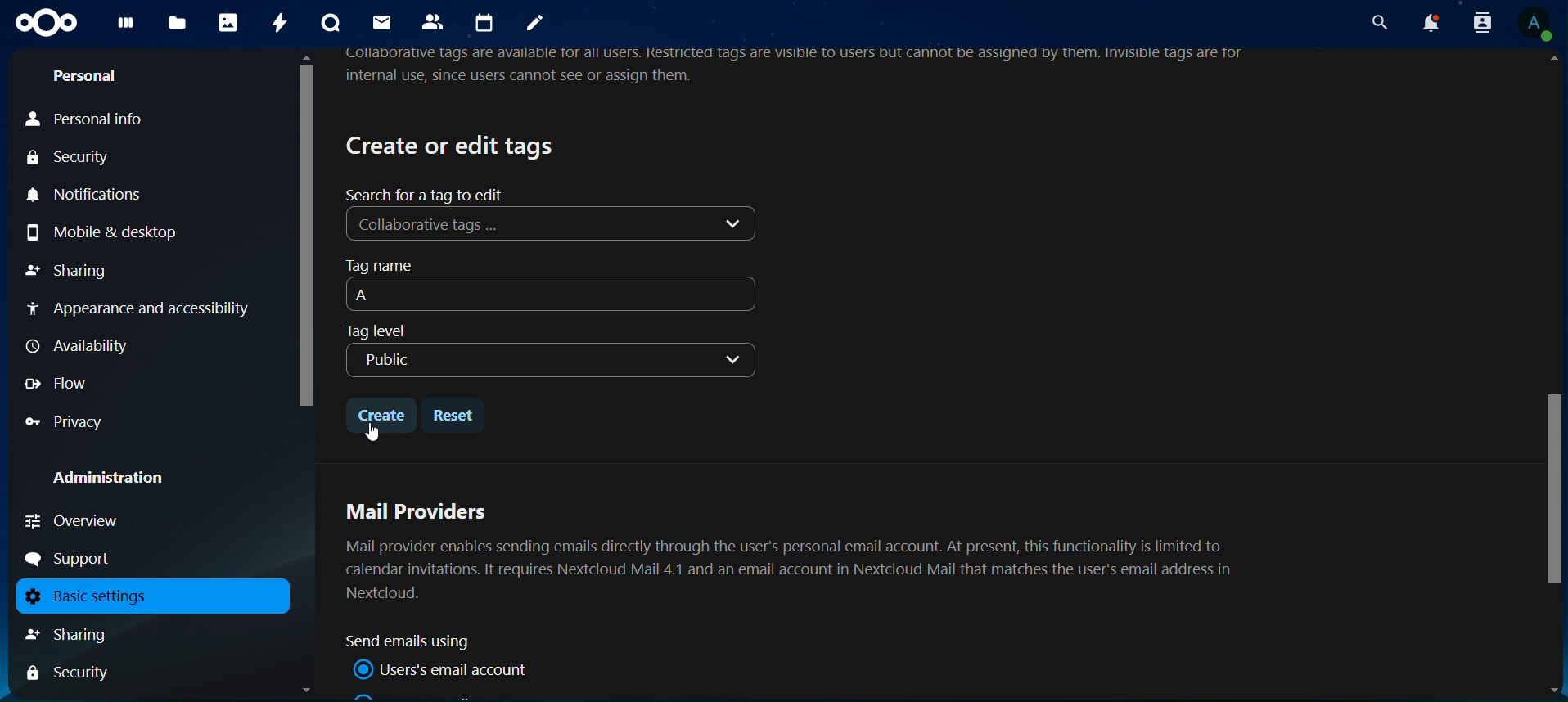 Image resolution: width=1568 pixels, height=702 pixels. What do you see at coordinates (282, 23) in the screenshot?
I see `activity` at bounding box center [282, 23].